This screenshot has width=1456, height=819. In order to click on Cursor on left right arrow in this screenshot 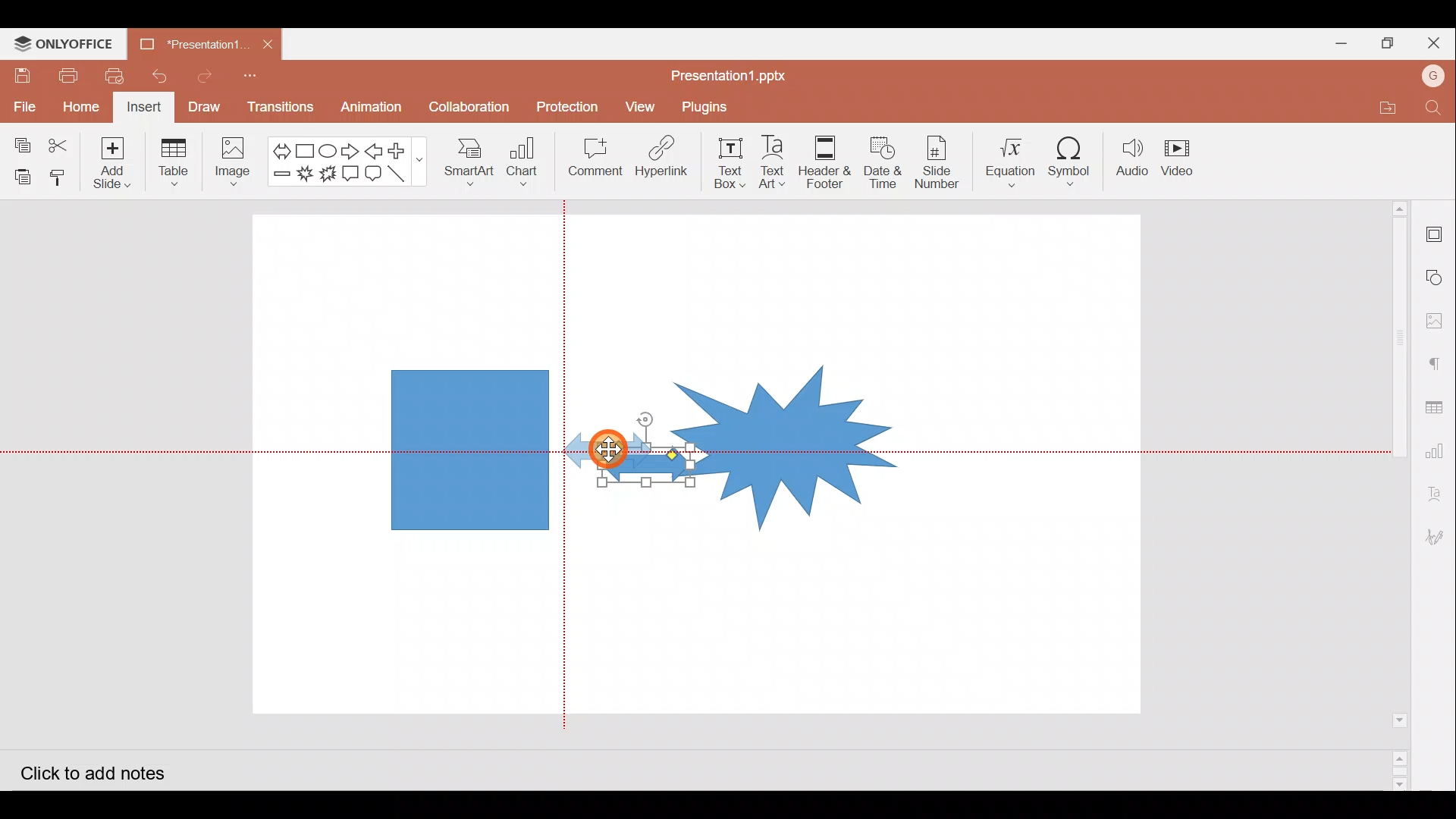, I will do `click(607, 431)`.